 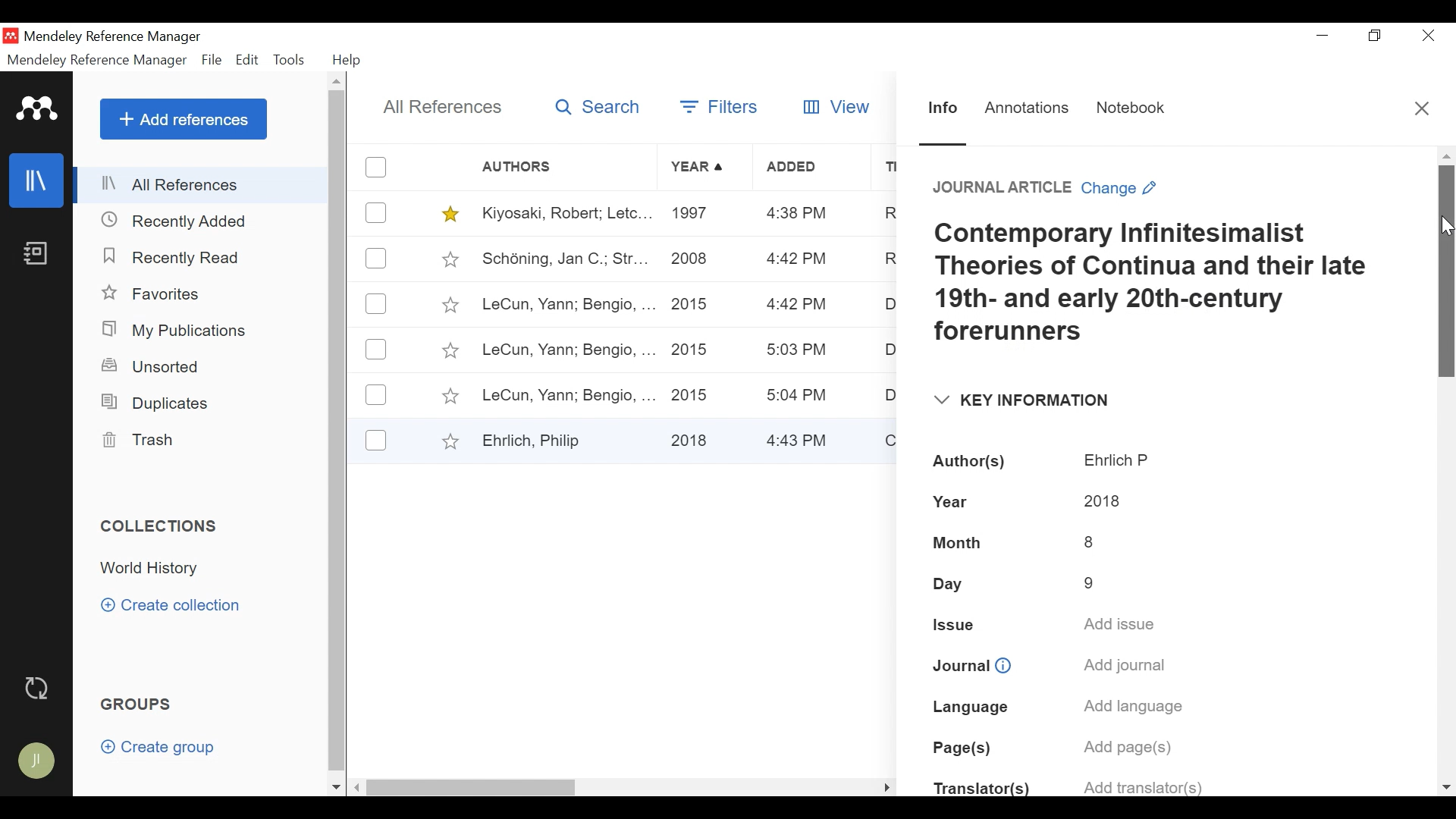 I want to click on Add page(s), so click(x=1133, y=748).